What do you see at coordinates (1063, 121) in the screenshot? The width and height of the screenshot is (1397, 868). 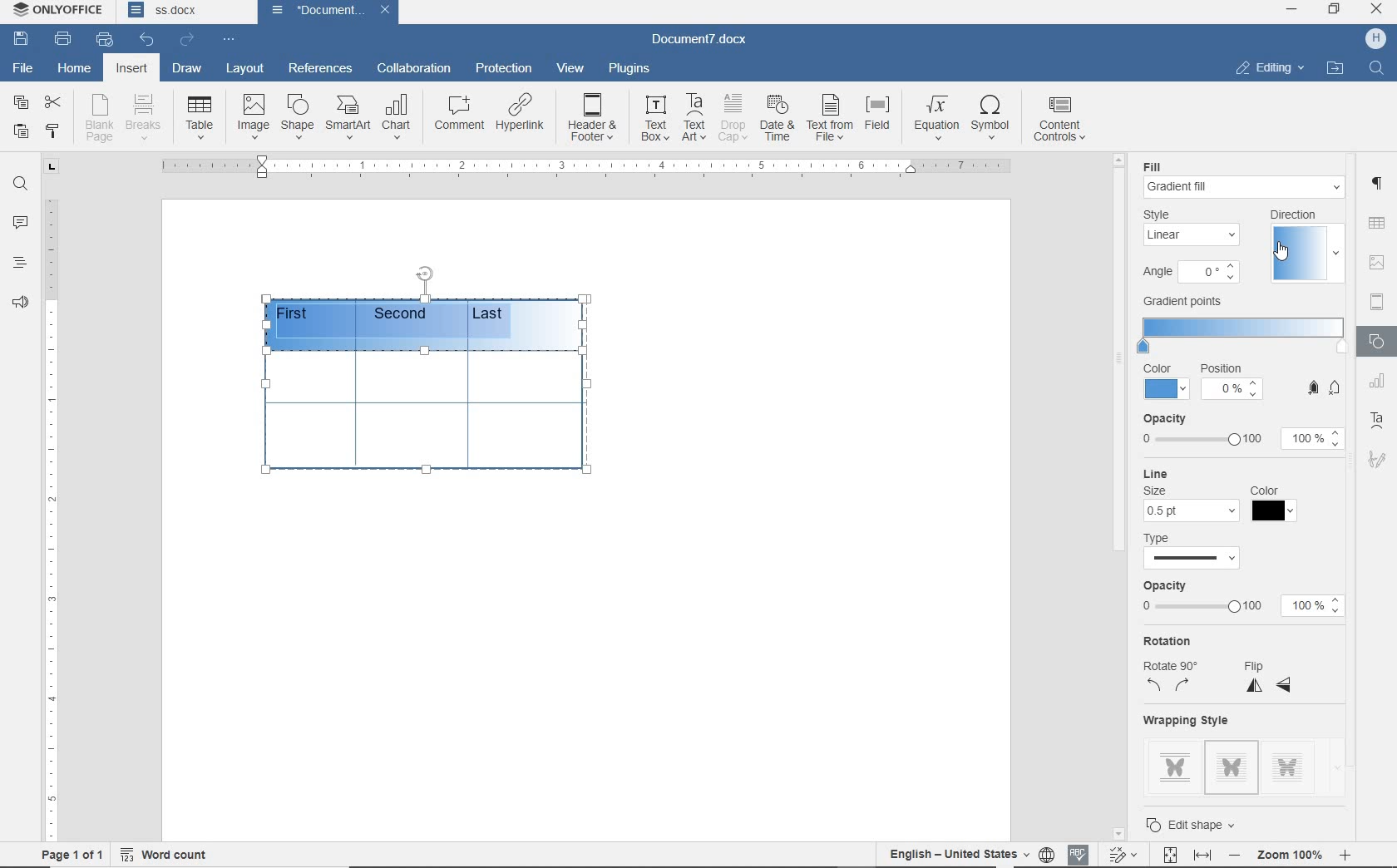 I see `content controls` at bounding box center [1063, 121].